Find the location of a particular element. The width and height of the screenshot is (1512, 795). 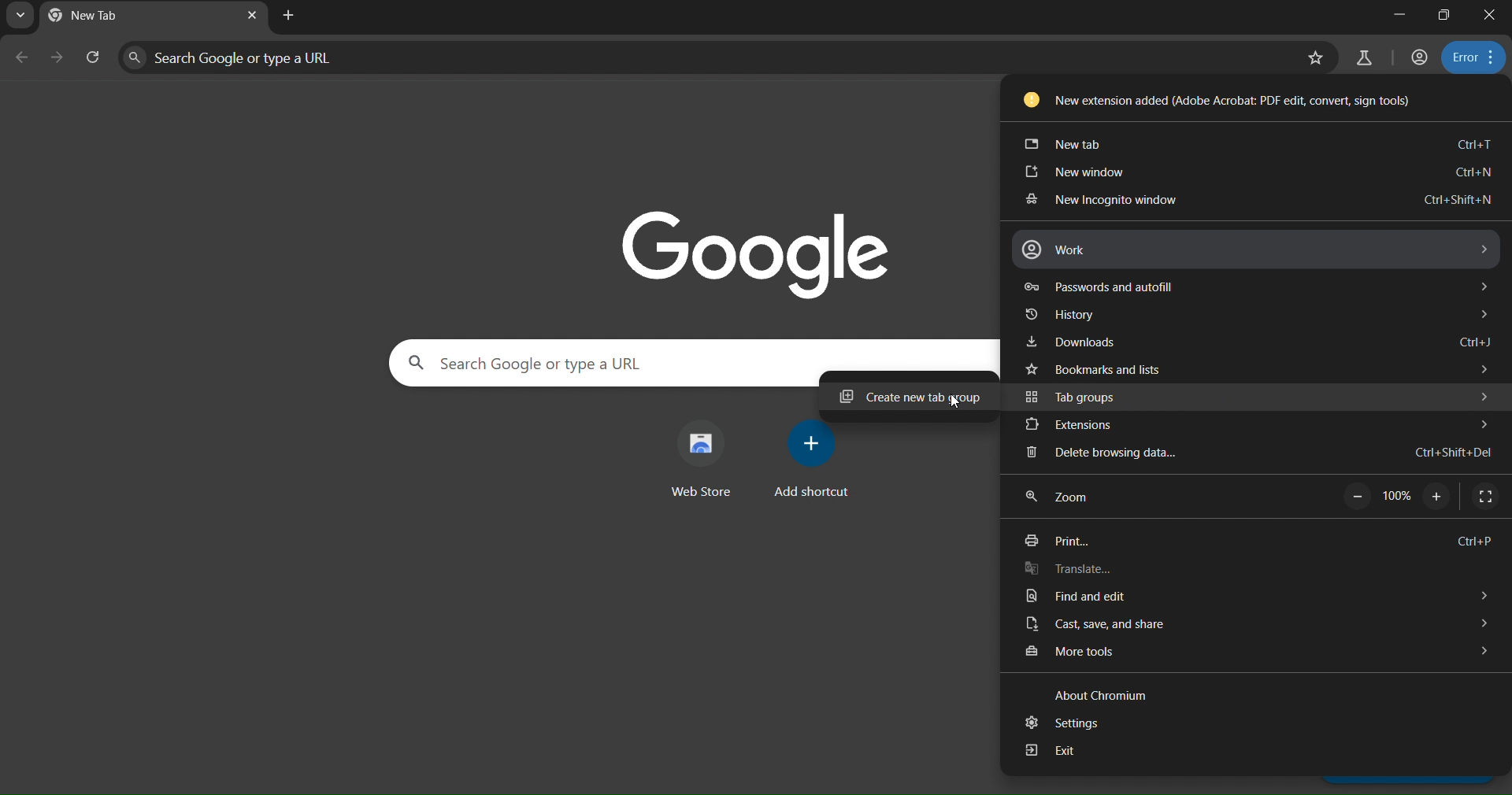

new tab is located at coordinates (287, 17).